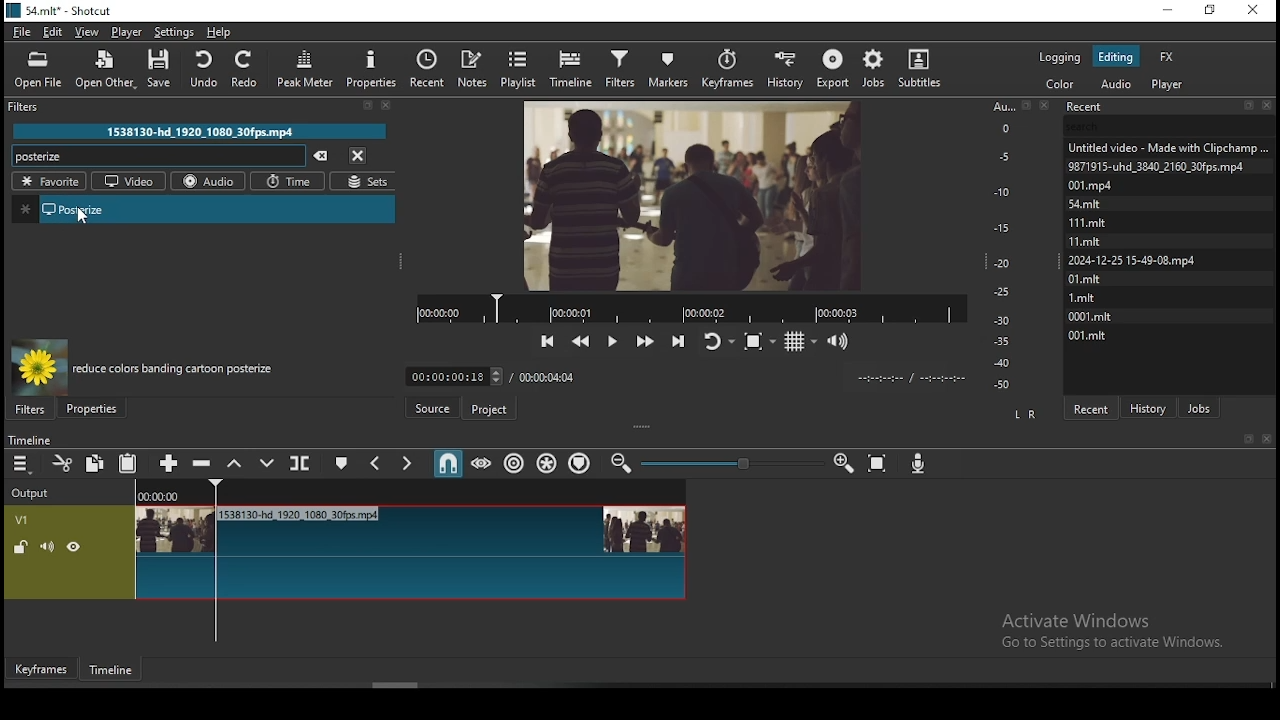  I want to click on save, so click(163, 69).